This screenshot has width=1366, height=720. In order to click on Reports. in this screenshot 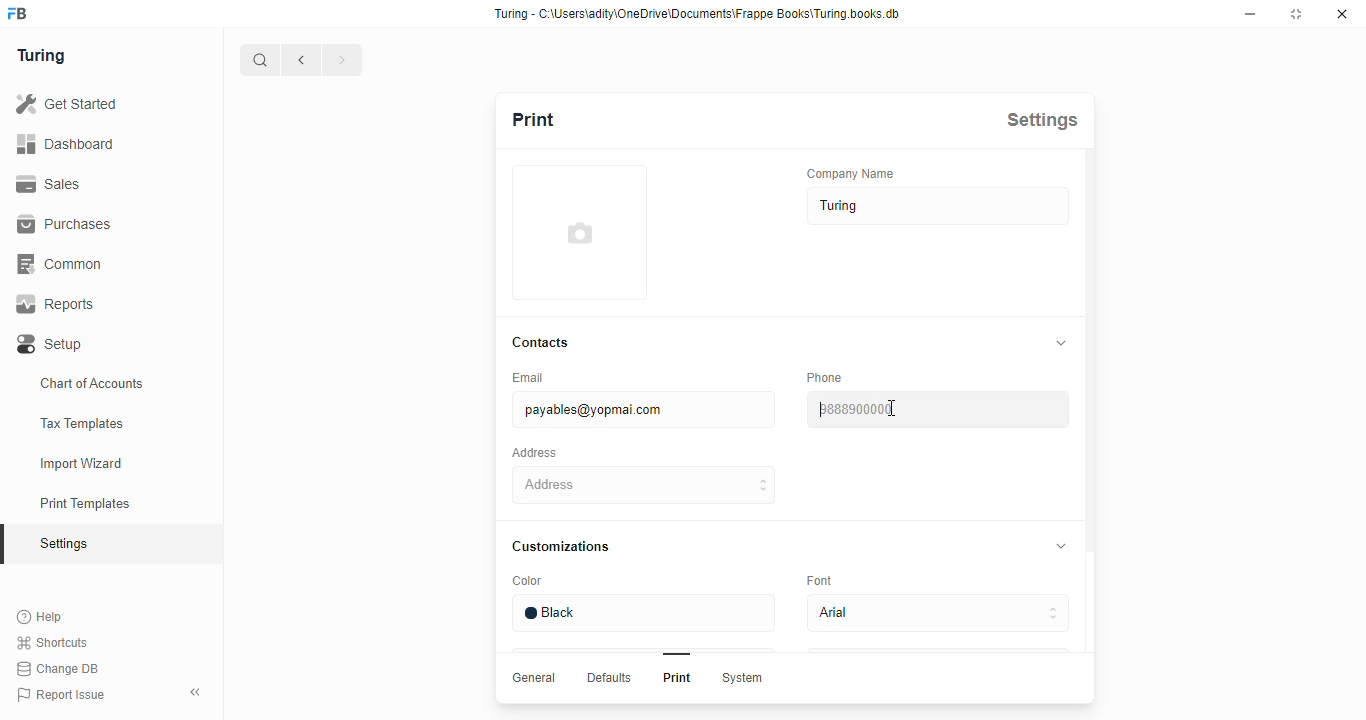, I will do `click(108, 304)`.